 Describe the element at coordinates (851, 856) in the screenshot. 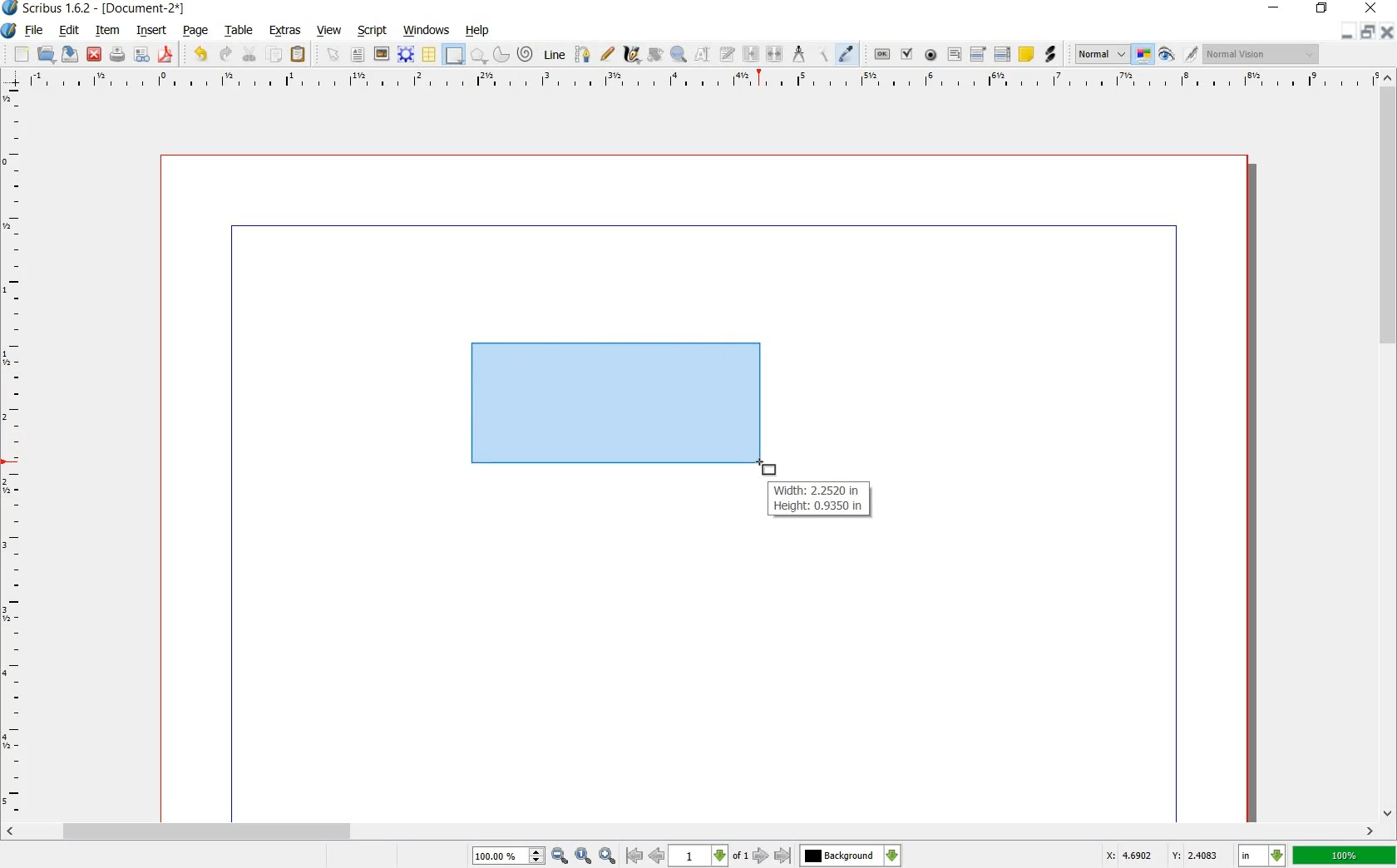

I see `select the current layer` at that location.